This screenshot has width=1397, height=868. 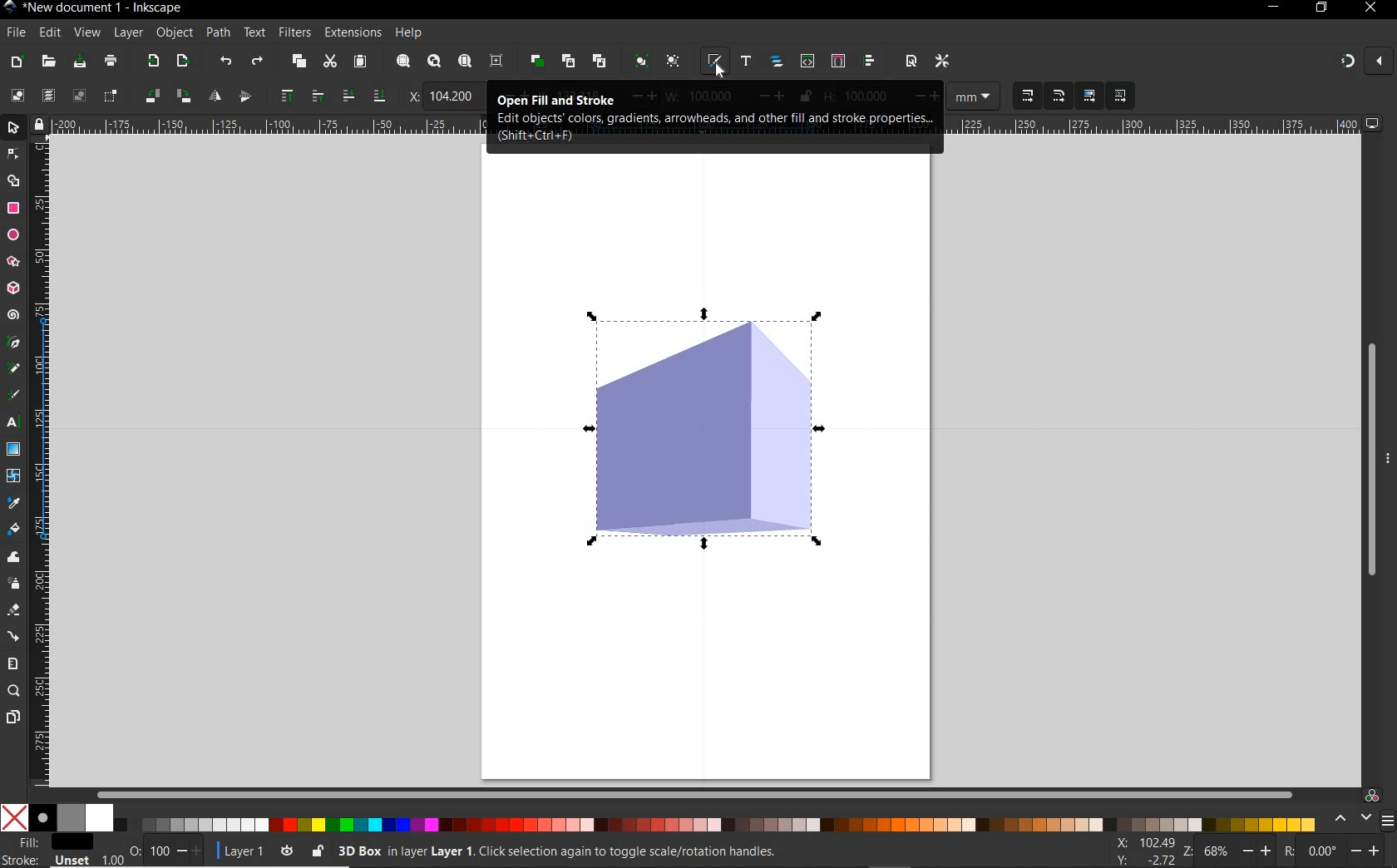 I want to click on PATH, so click(x=219, y=33).